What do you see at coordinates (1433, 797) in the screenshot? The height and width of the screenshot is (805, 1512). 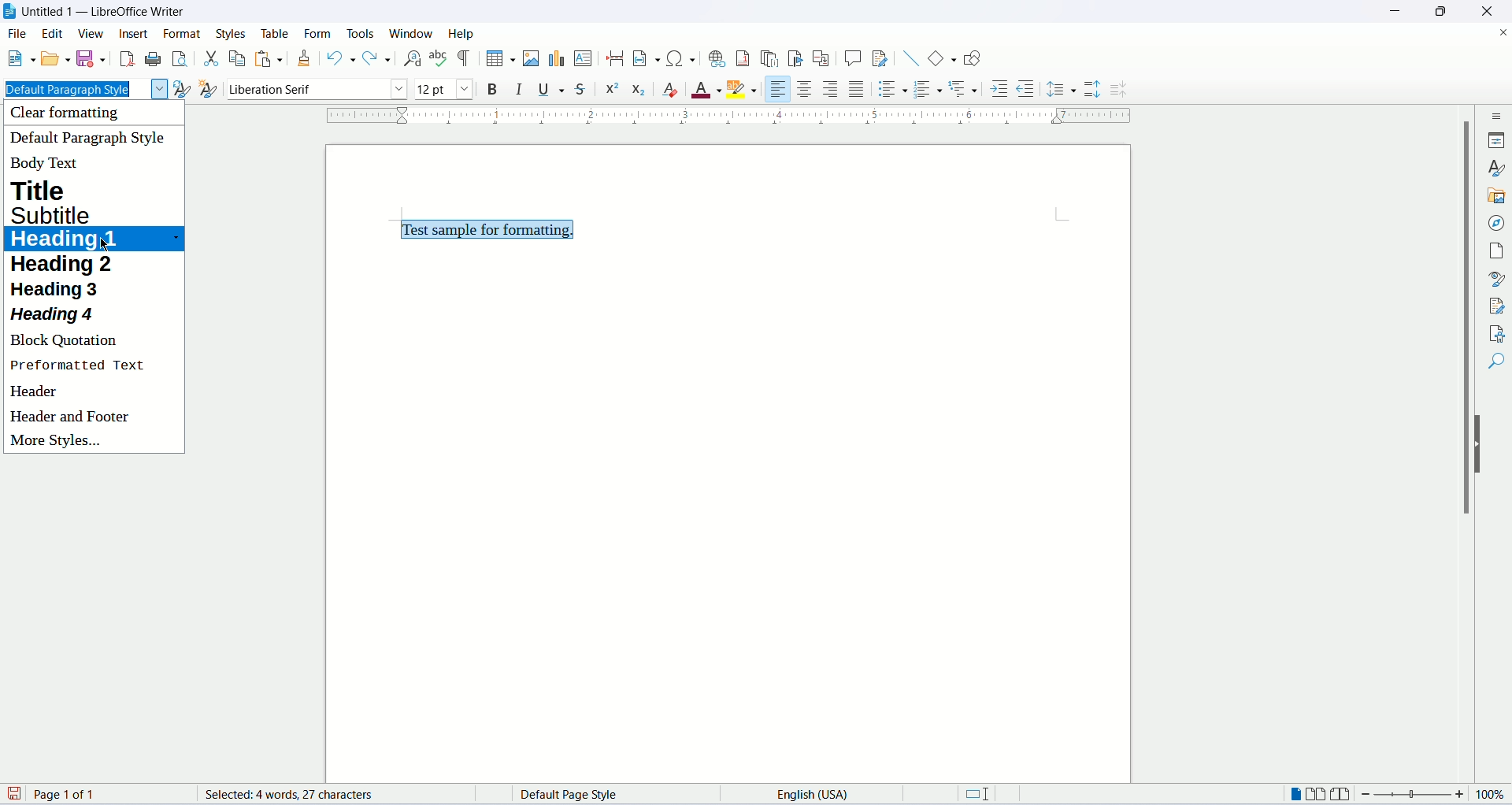 I see `zoom factor` at bounding box center [1433, 797].